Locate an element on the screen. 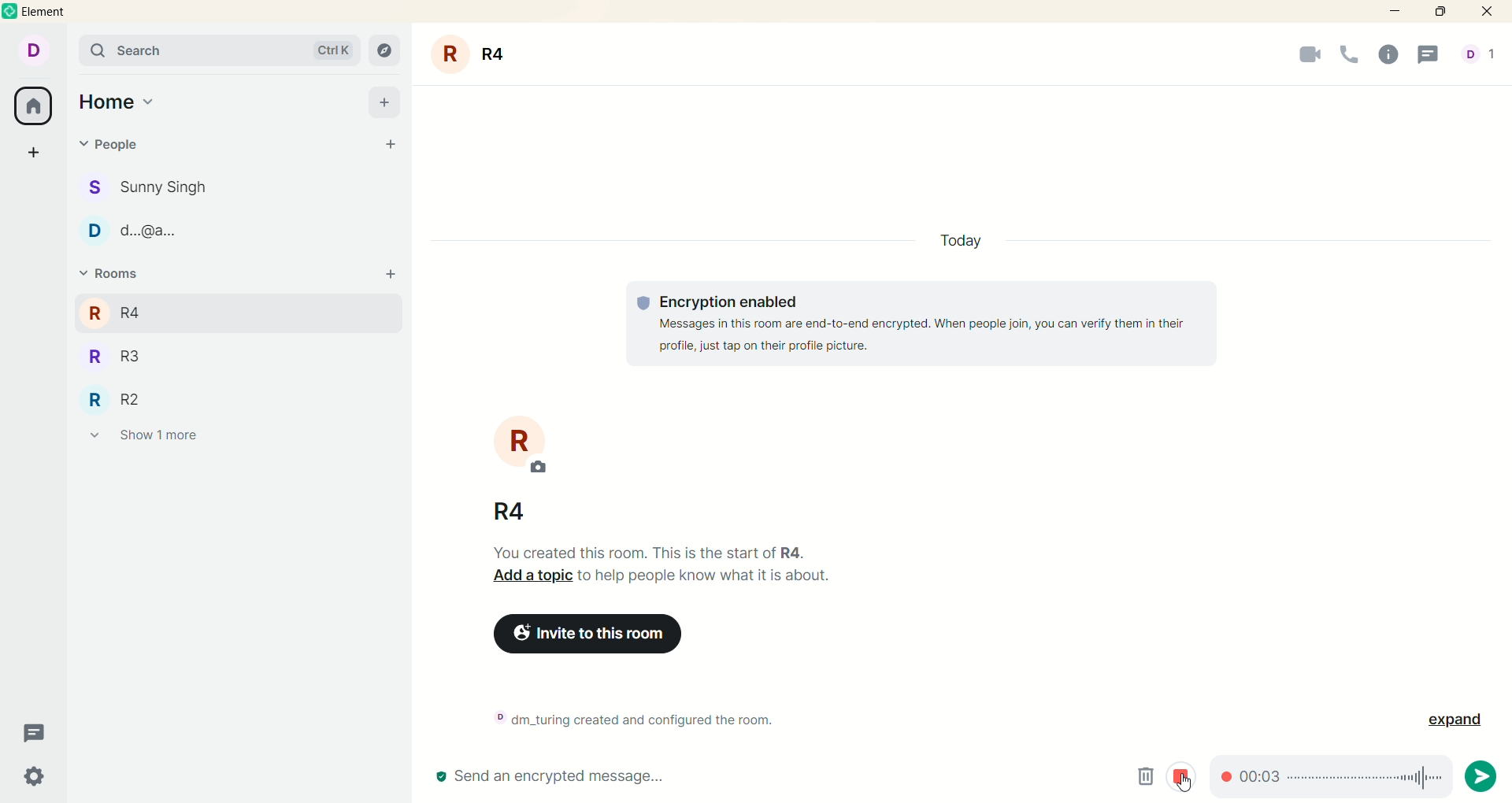  close is located at coordinates (1490, 12).